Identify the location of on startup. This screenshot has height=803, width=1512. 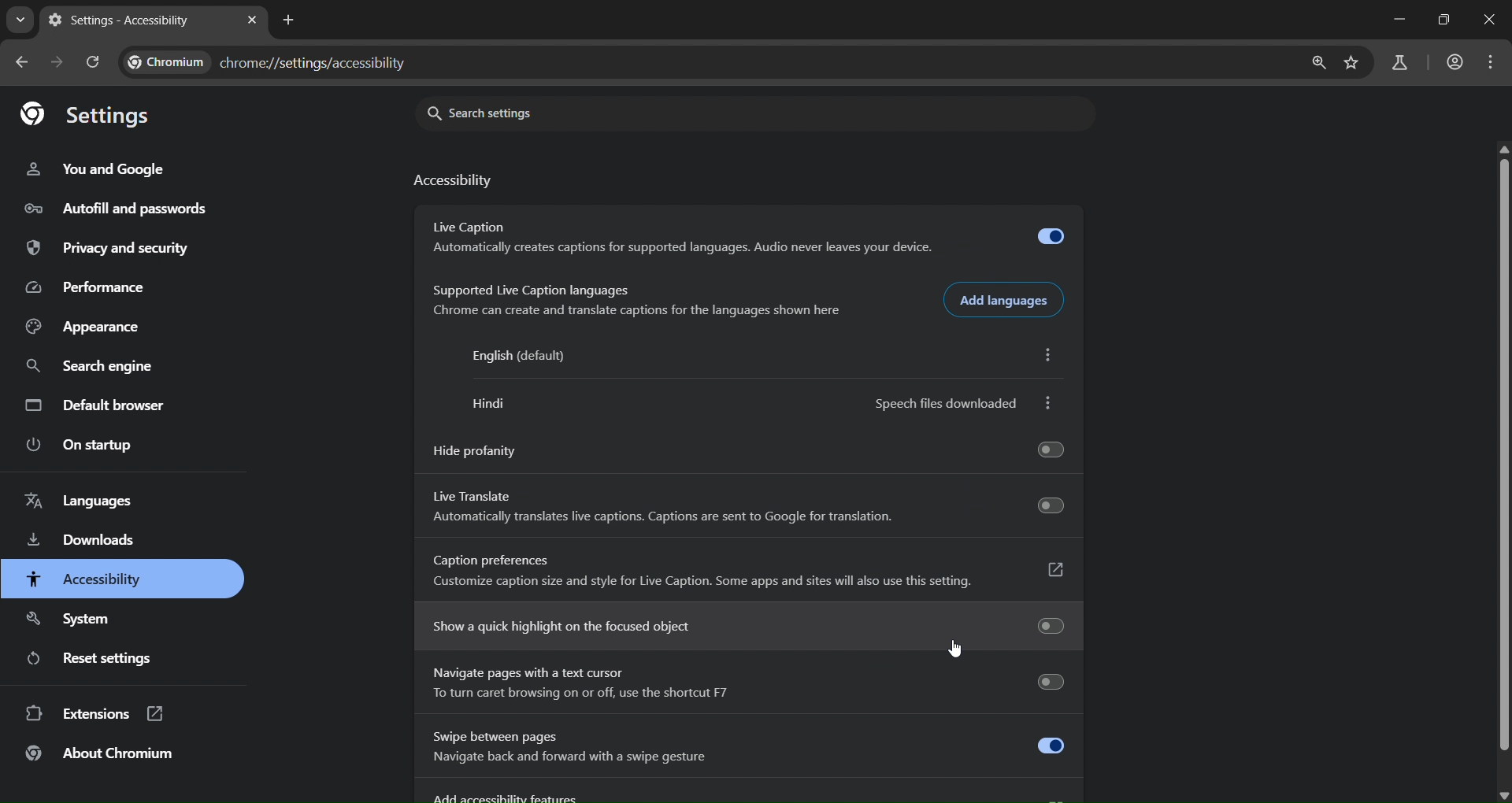
(76, 446).